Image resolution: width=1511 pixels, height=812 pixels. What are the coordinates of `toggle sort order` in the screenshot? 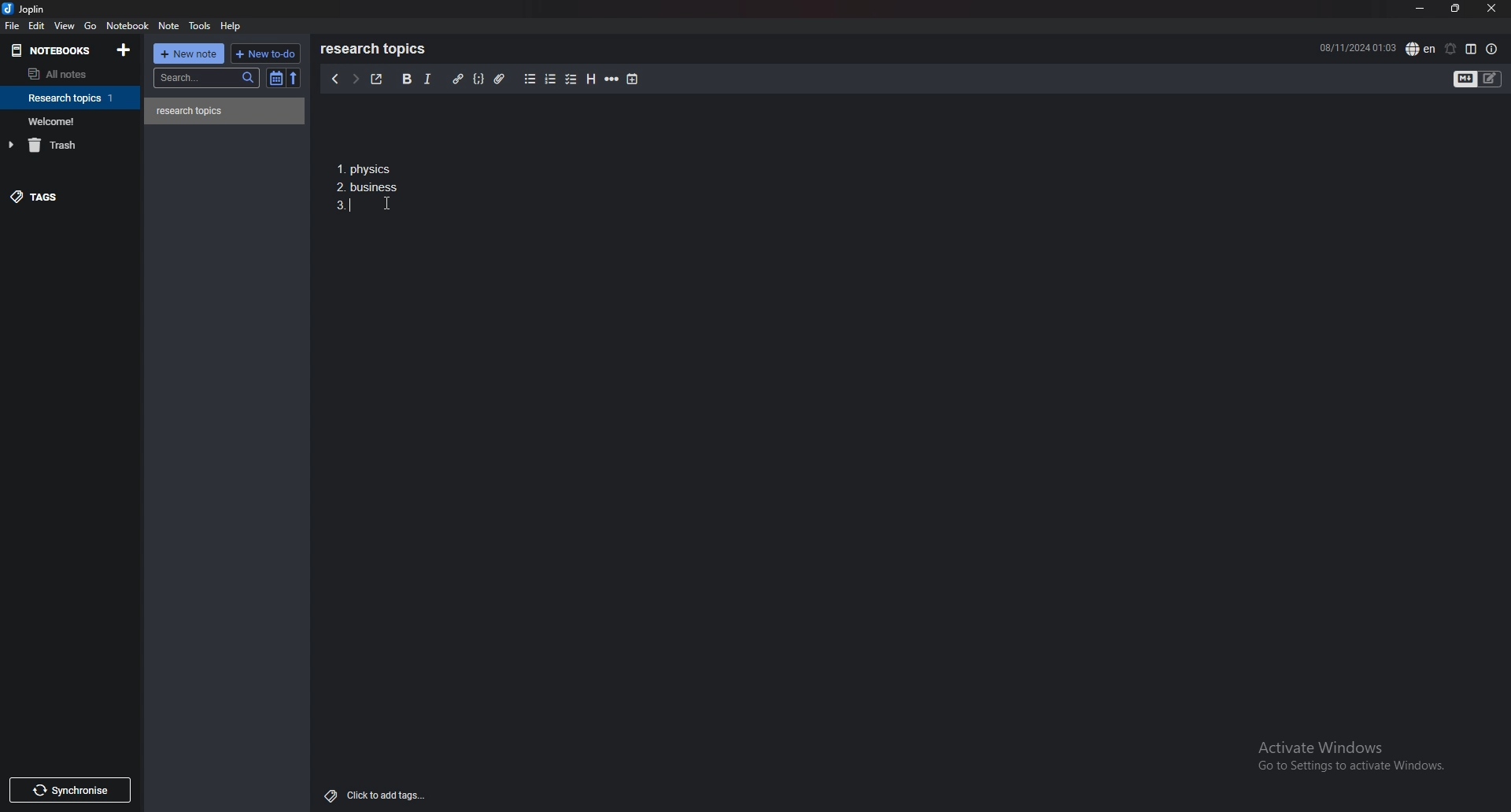 It's located at (276, 79).